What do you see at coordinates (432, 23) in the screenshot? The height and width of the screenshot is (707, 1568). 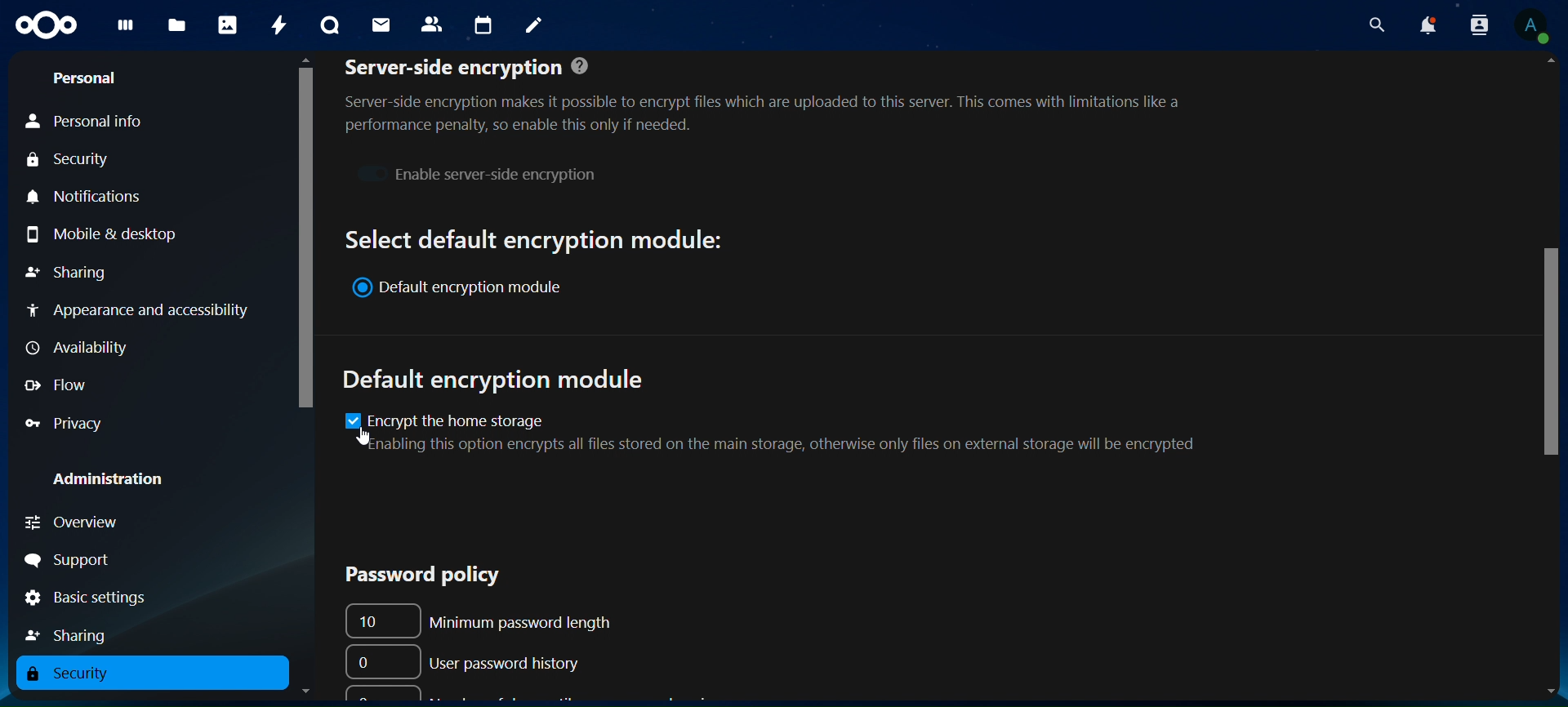 I see `contact` at bounding box center [432, 23].